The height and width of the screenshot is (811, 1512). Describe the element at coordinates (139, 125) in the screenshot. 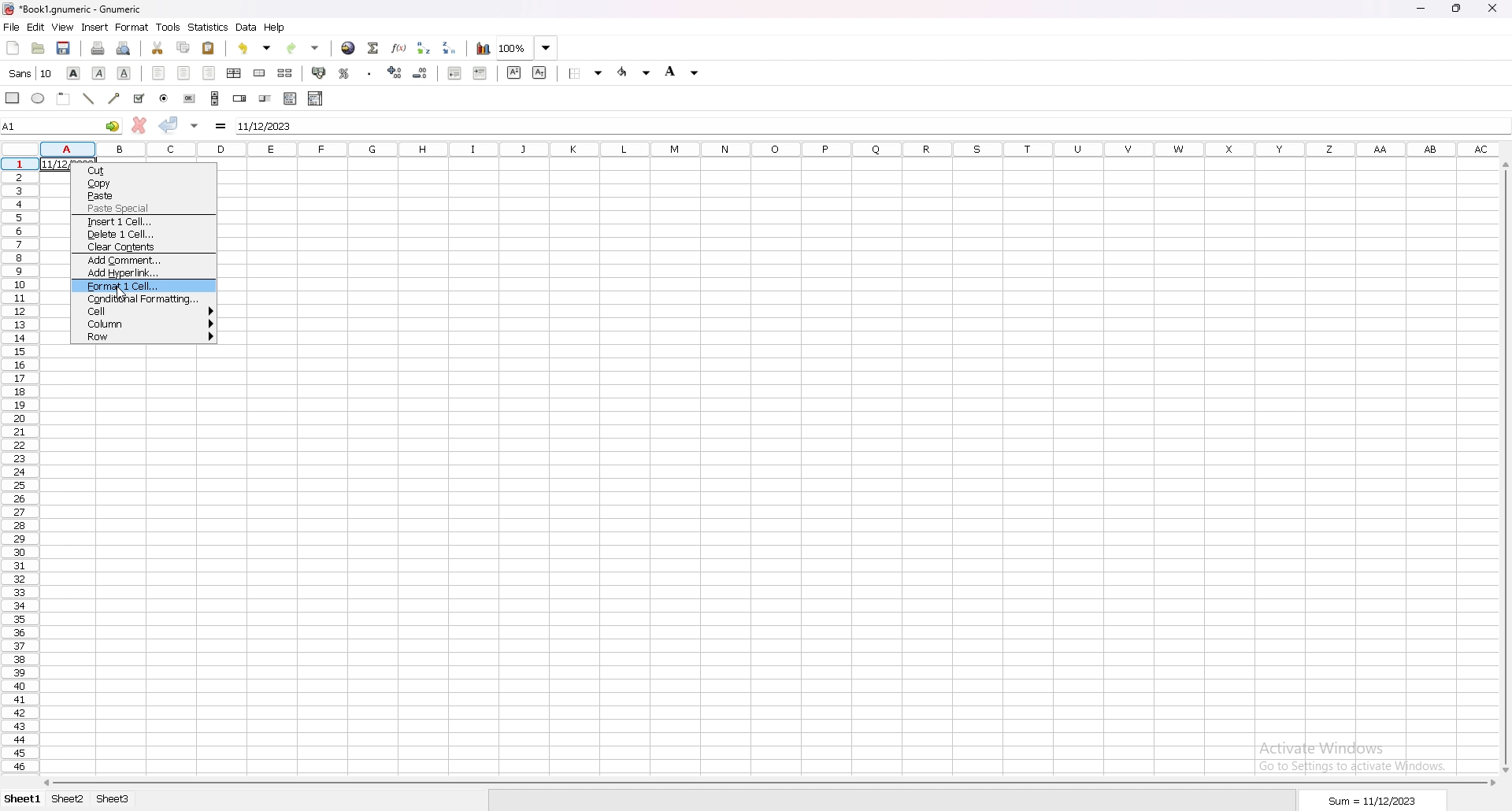

I see `cancel changes` at that location.